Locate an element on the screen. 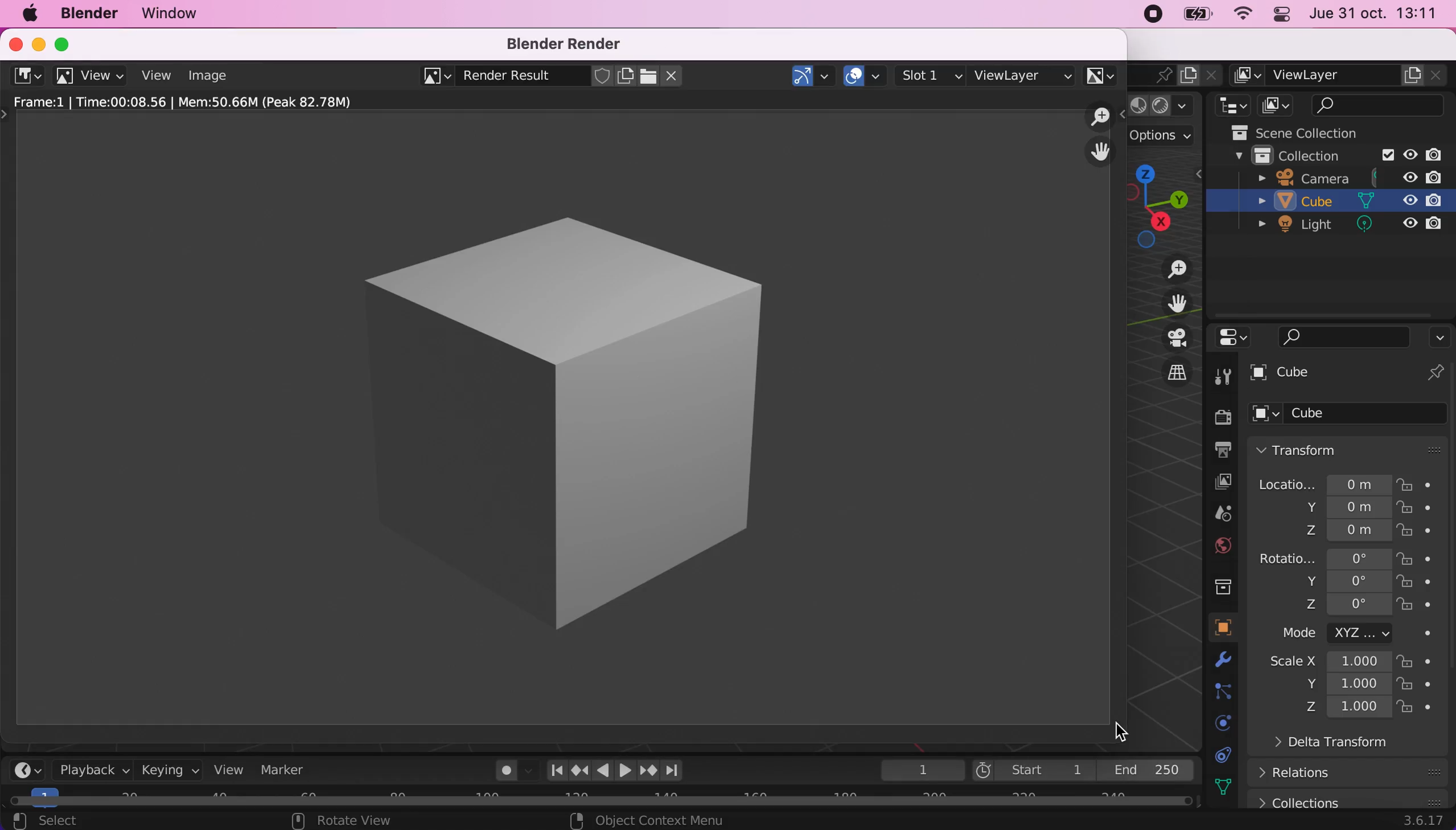 The height and width of the screenshot is (830, 1456). close is located at coordinates (13, 43).